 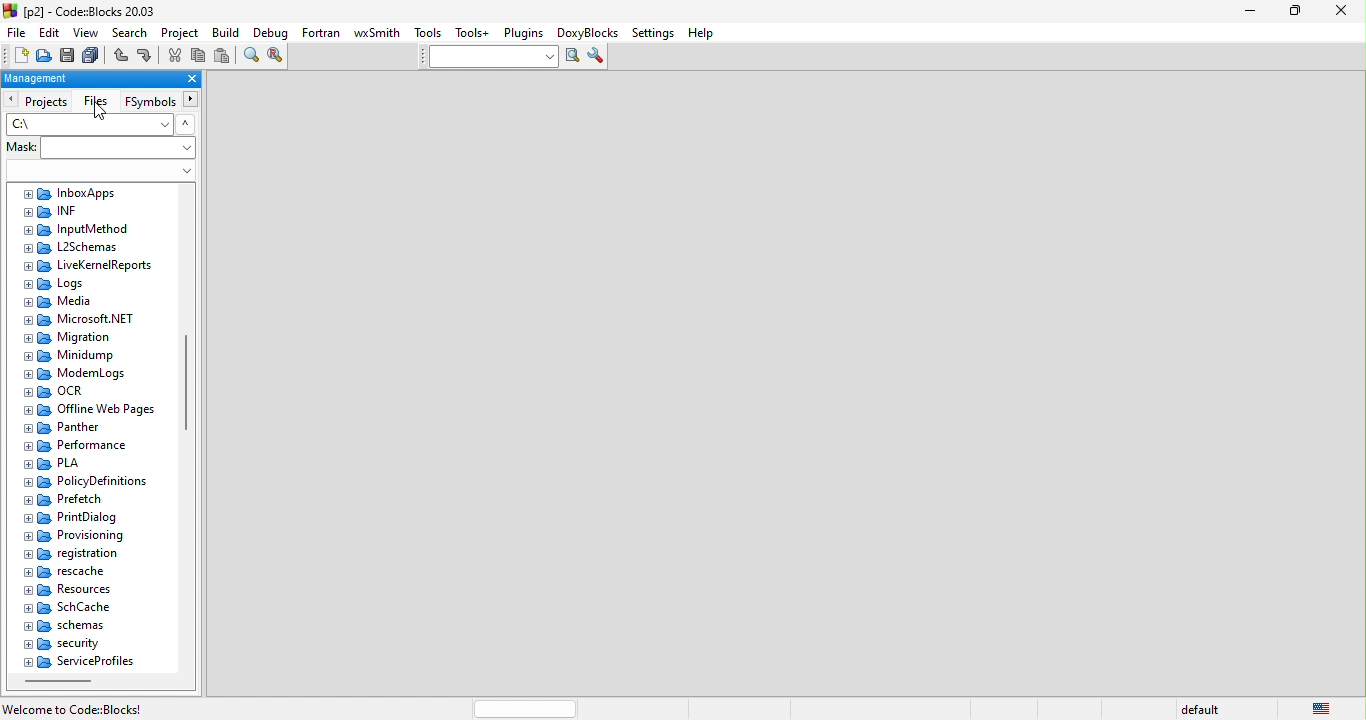 I want to click on project, so click(x=181, y=33).